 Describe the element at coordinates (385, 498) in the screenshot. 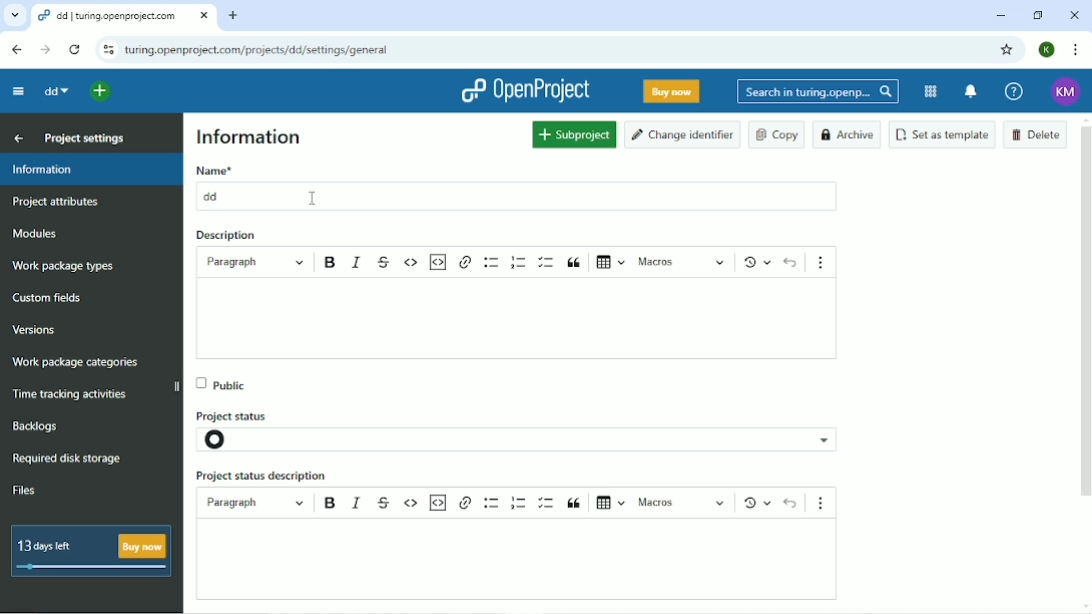

I see `strikethrough` at that location.